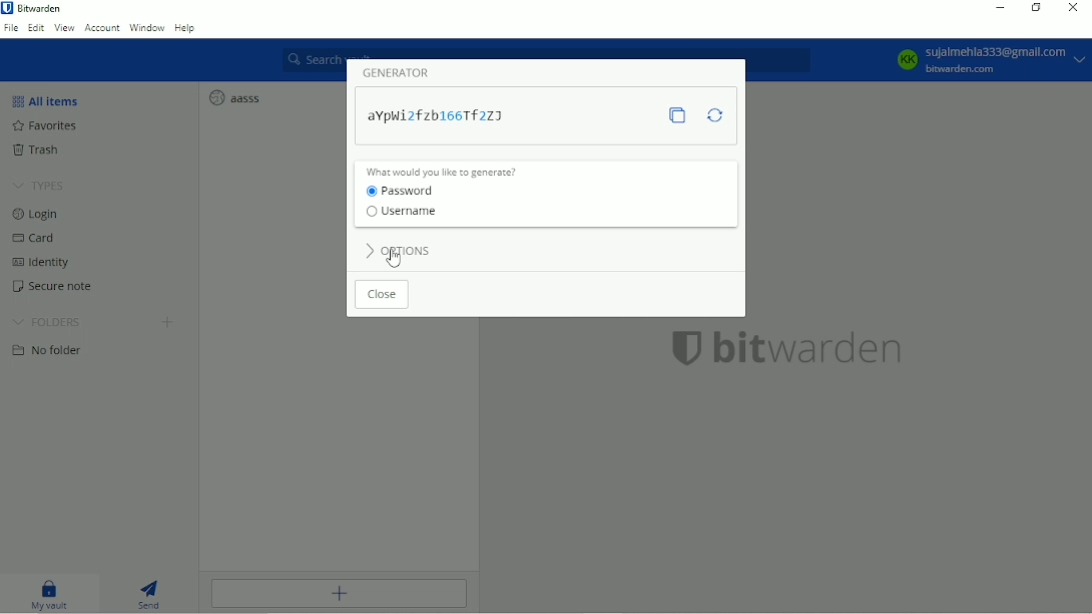  Describe the element at coordinates (50, 595) in the screenshot. I see `My vault` at that location.